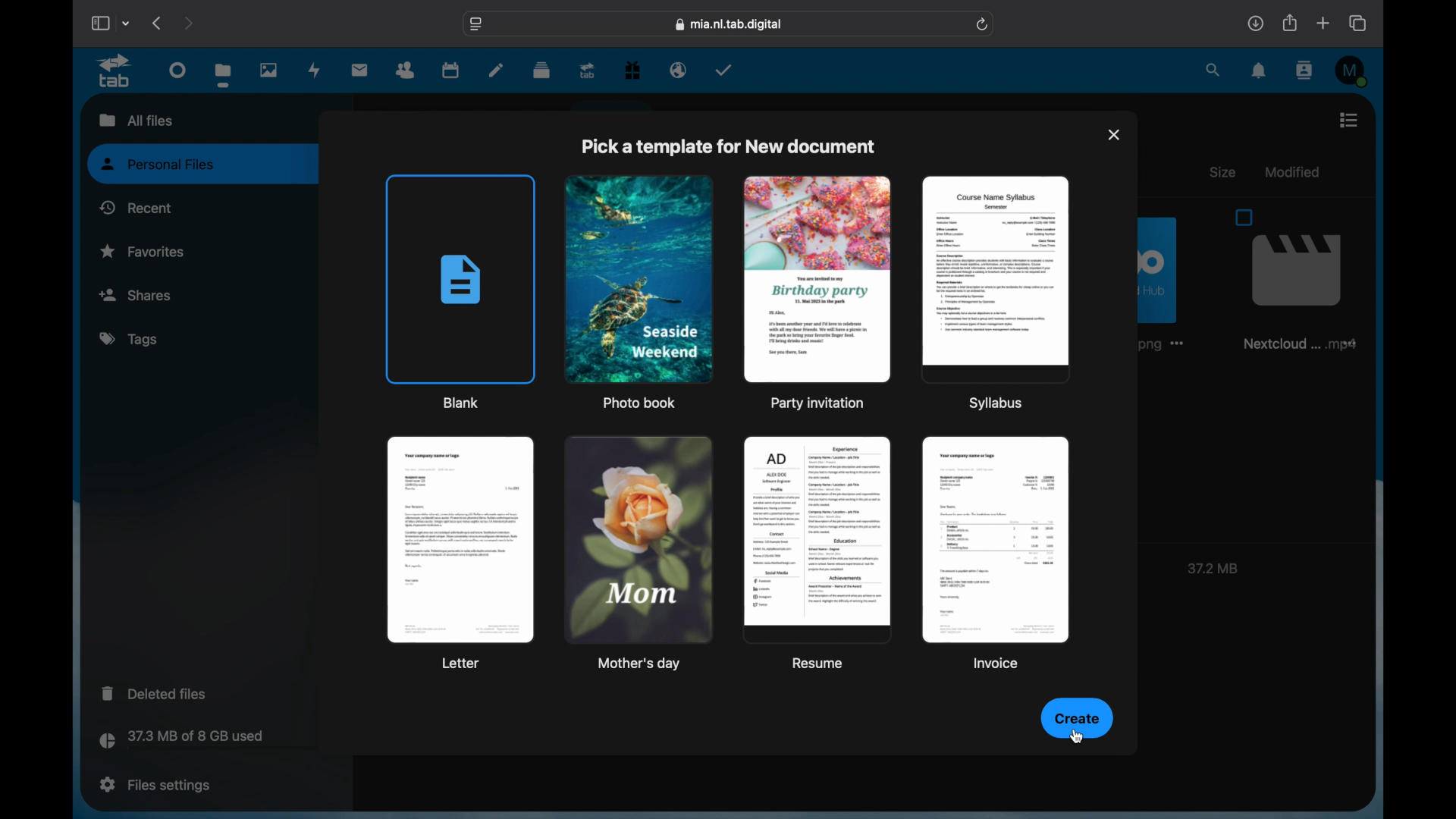 This screenshot has height=819, width=1456. Describe the element at coordinates (158, 23) in the screenshot. I see `previous` at that location.